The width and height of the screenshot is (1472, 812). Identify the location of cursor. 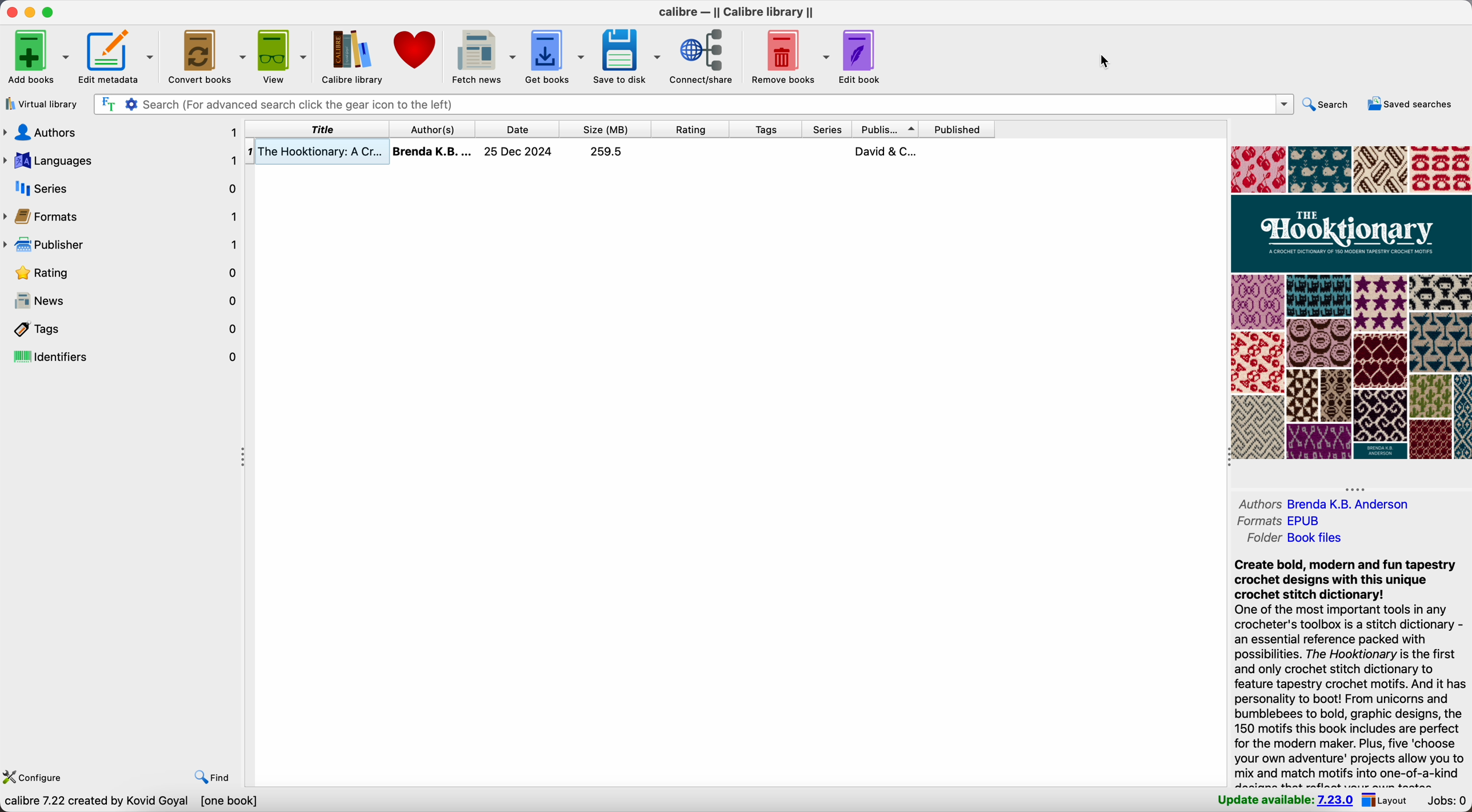
(1106, 62).